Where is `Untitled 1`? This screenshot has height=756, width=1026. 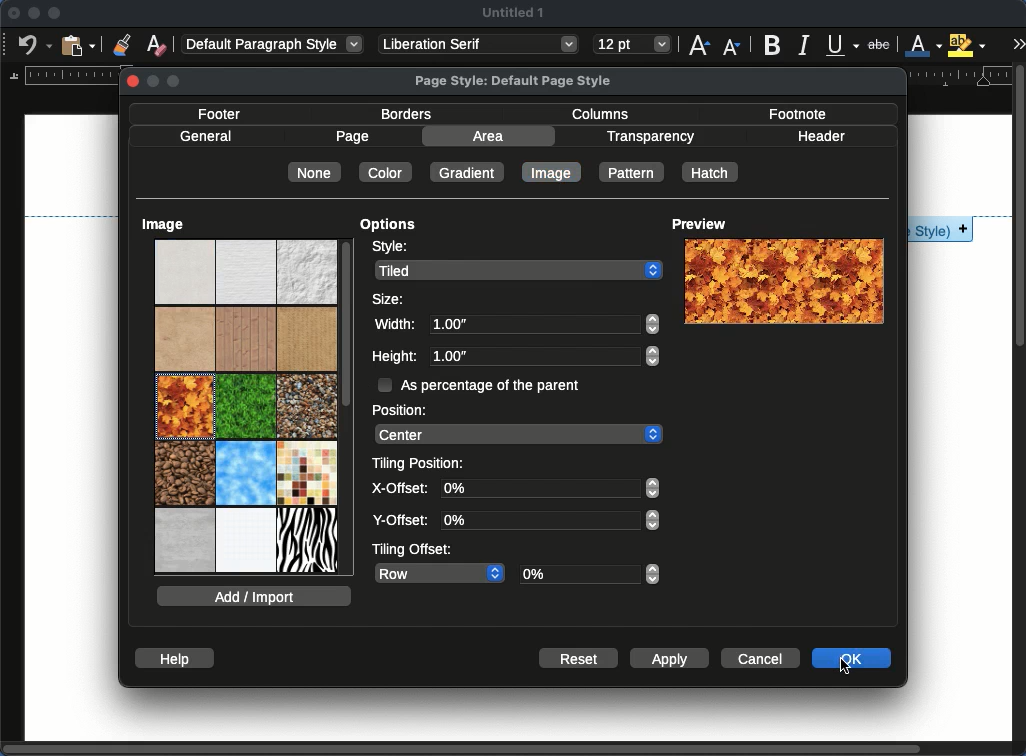 Untitled 1 is located at coordinates (512, 13).